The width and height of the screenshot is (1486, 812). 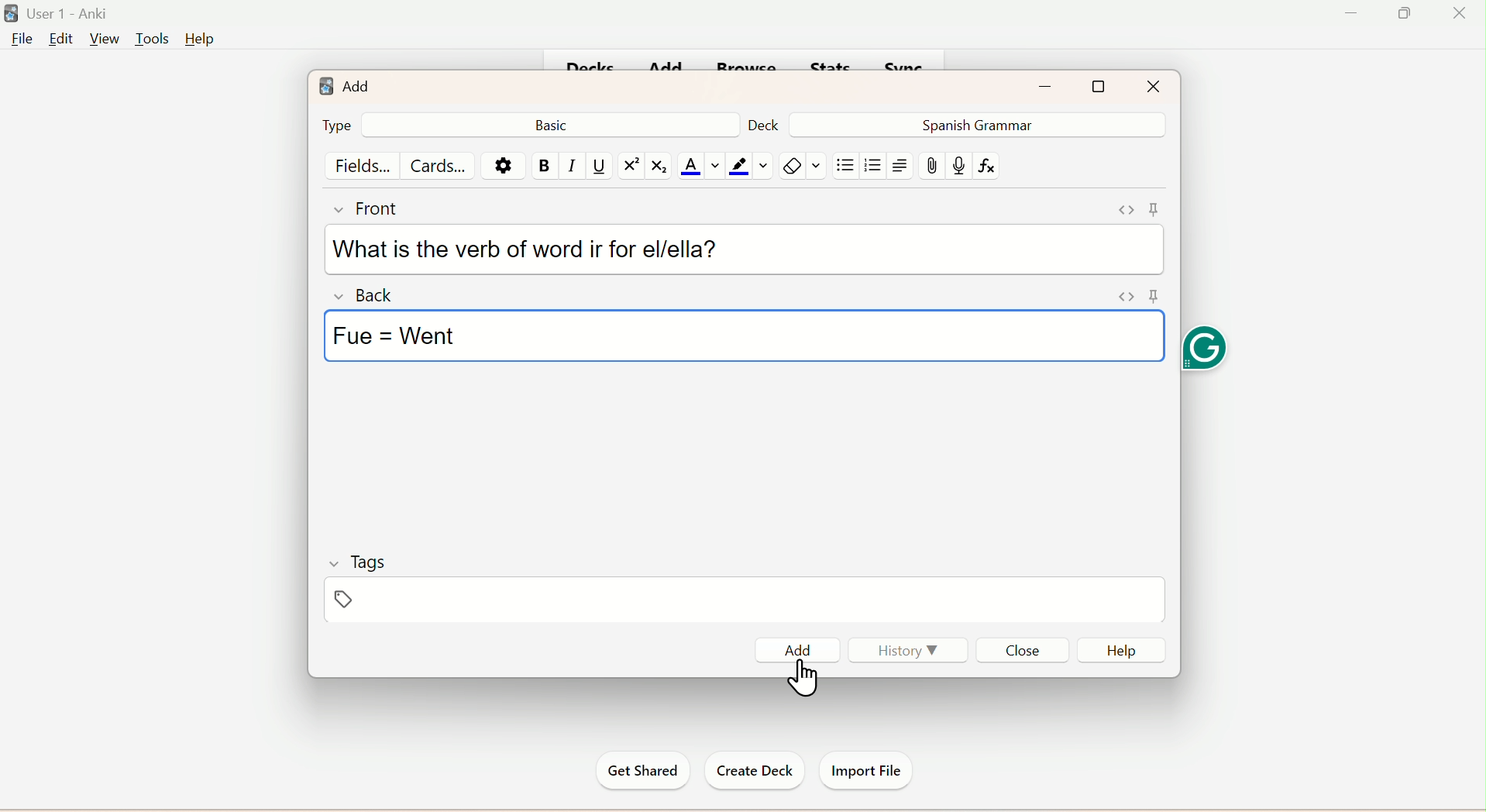 I want to click on Italiac, so click(x=573, y=166).